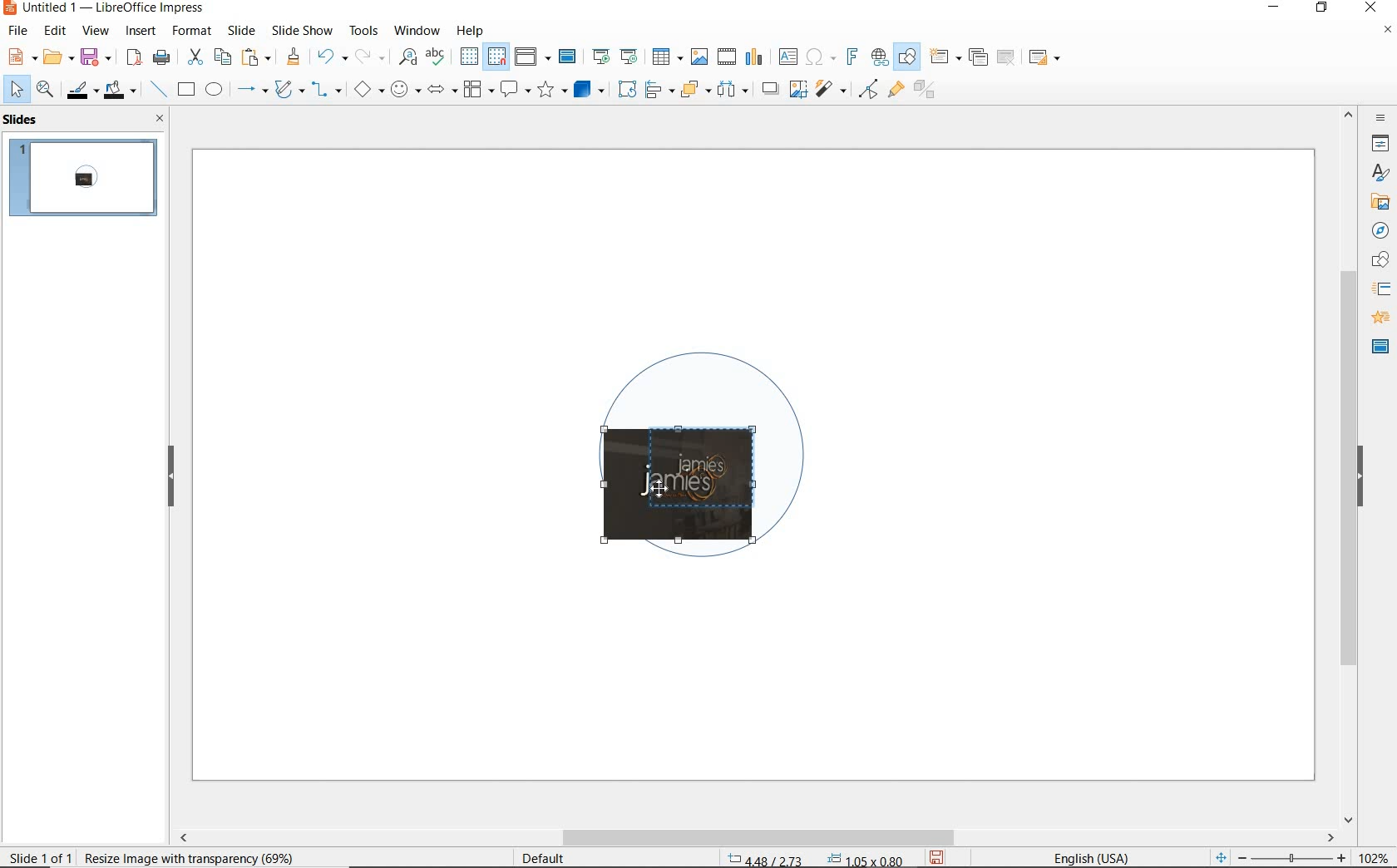 This screenshot has width=1397, height=868. What do you see at coordinates (47, 91) in the screenshot?
I see `zoom & pan` at bounding box center [47, 91].